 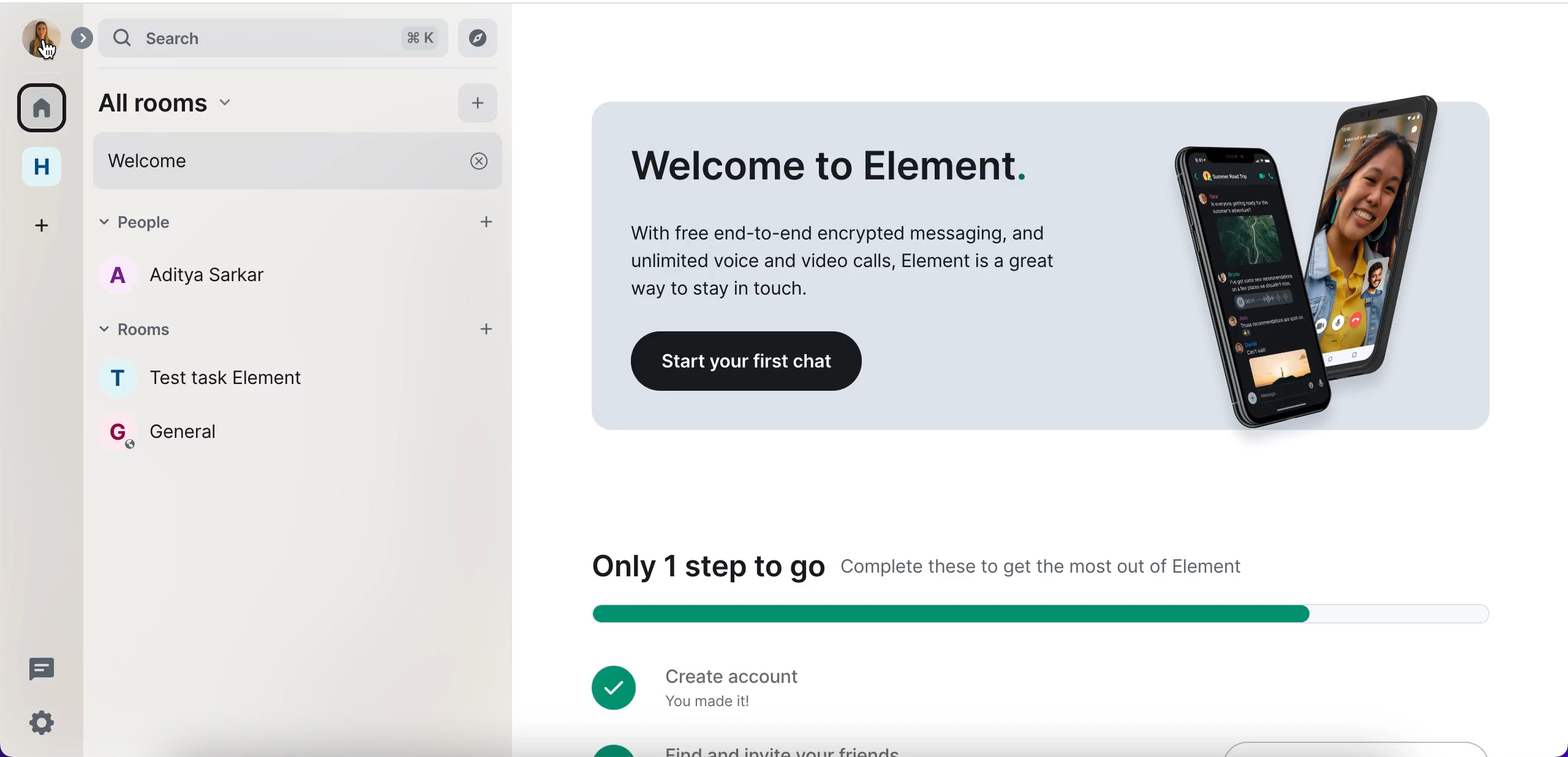 I want to click on Only 1 step to go Complete these to get the most out of Element, so click(x=932, y=570).